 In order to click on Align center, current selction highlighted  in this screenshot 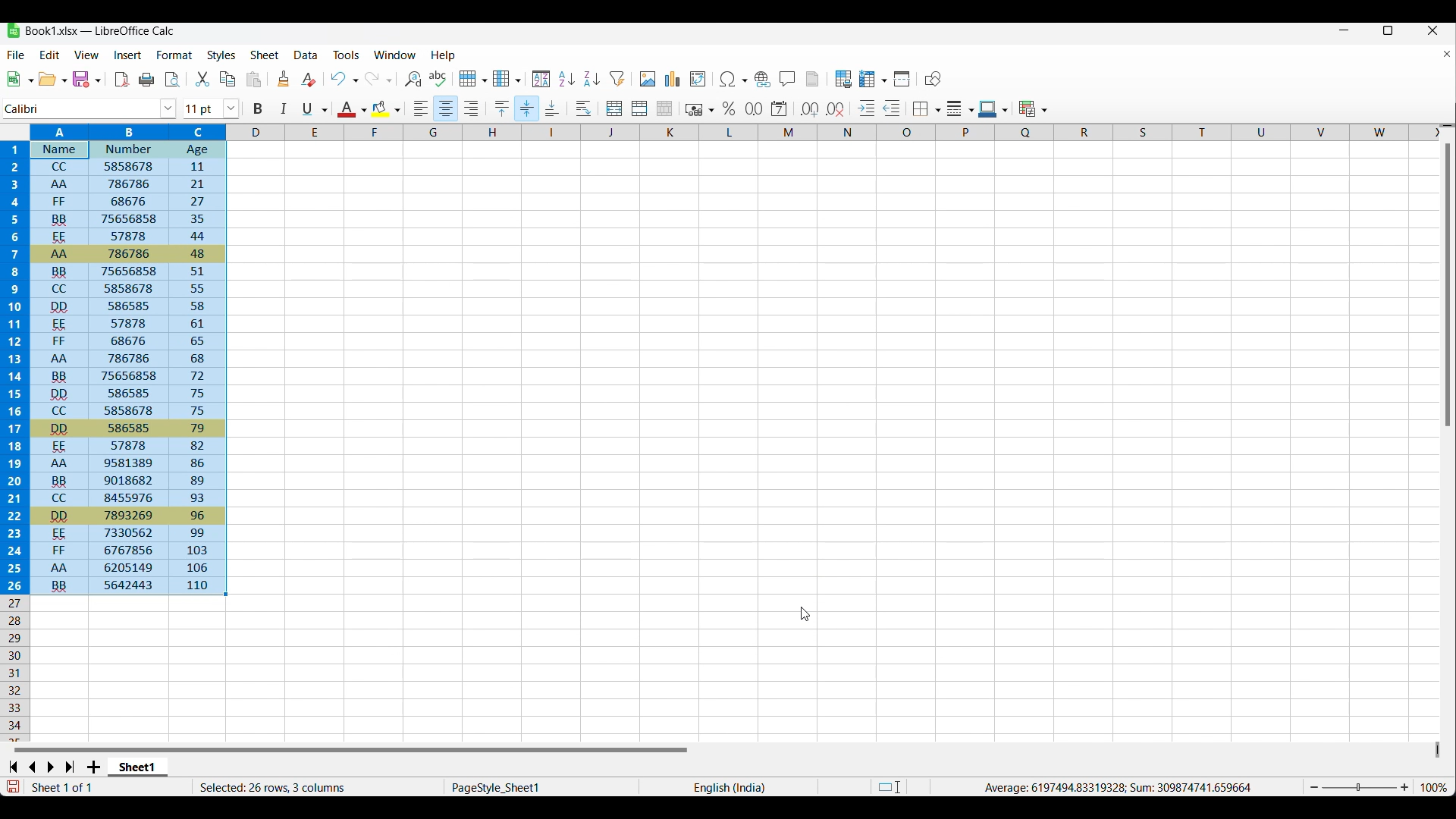, I will do `click(446, 108)`.